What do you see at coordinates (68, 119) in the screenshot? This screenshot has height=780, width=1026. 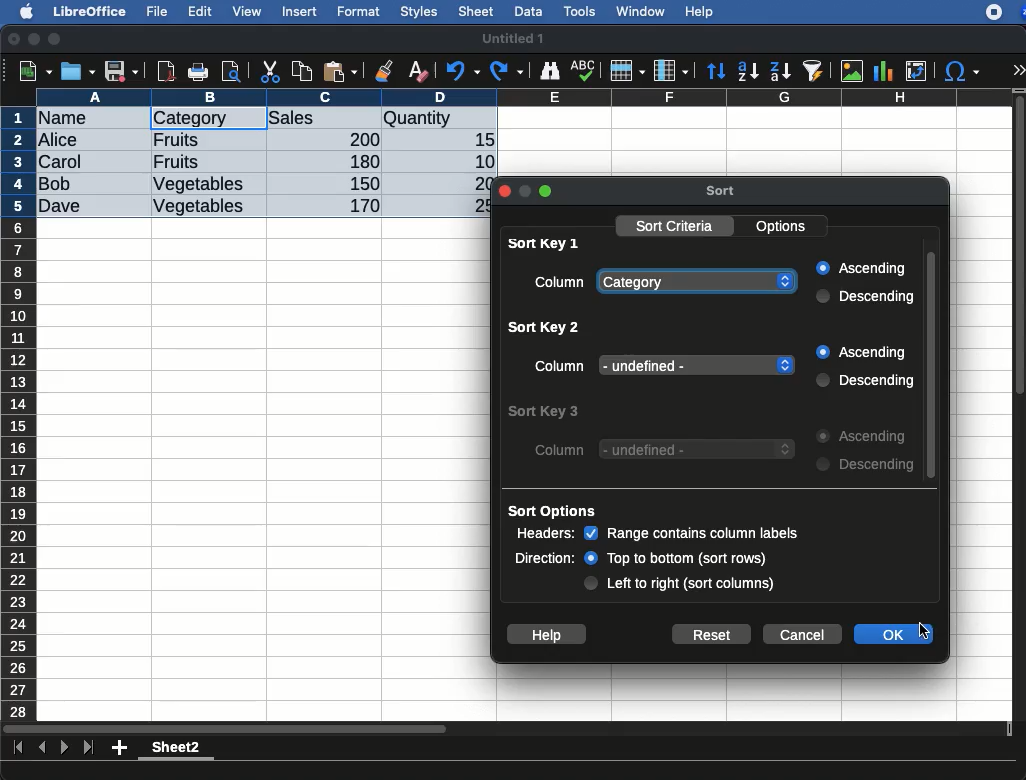 I see `name` at bounding box center [68, 119].